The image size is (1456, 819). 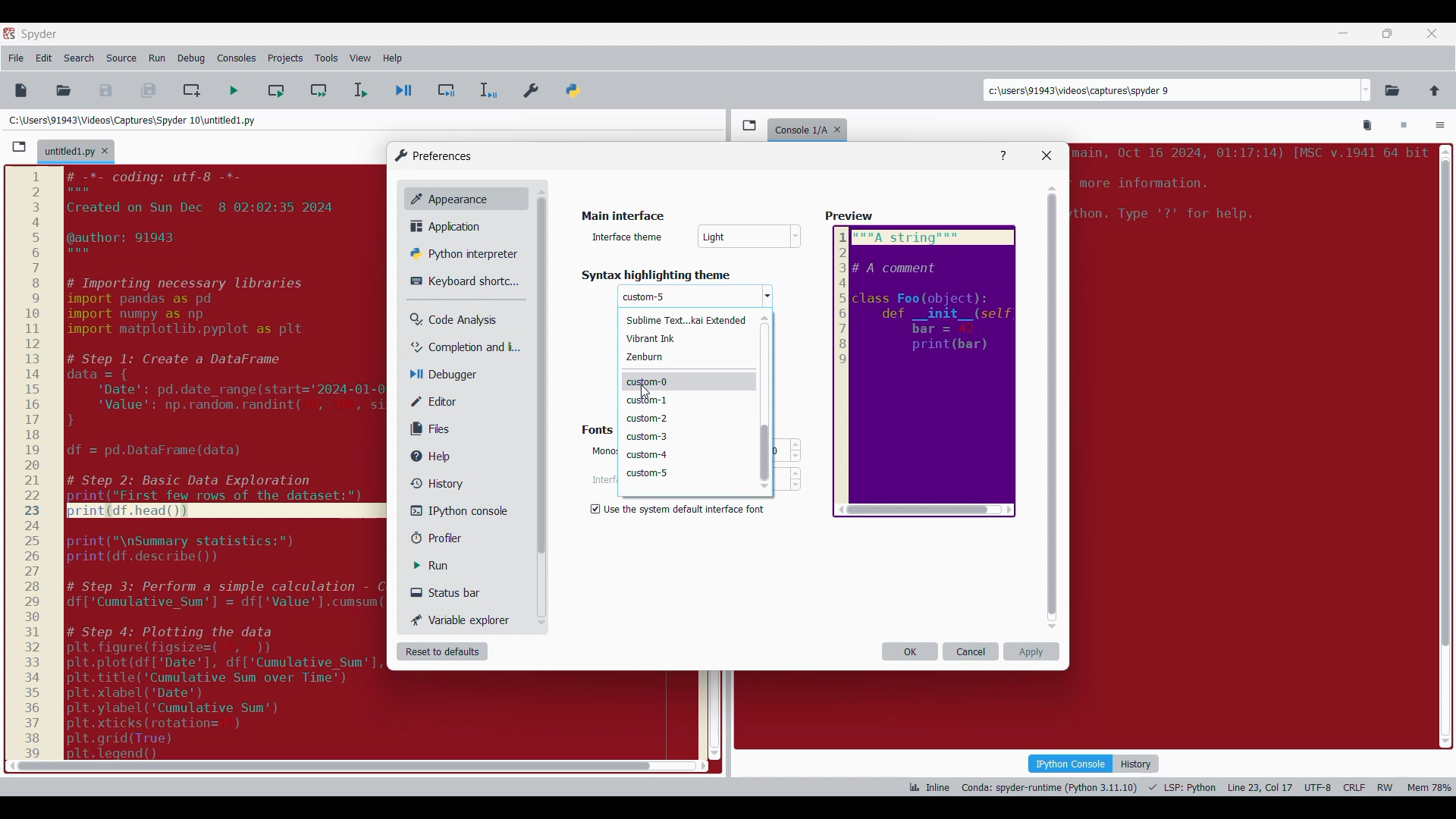 What do you see at coordinates (1432, 33) in the screenshot?
I see `Close tab` at bounding box center [1432, 33].